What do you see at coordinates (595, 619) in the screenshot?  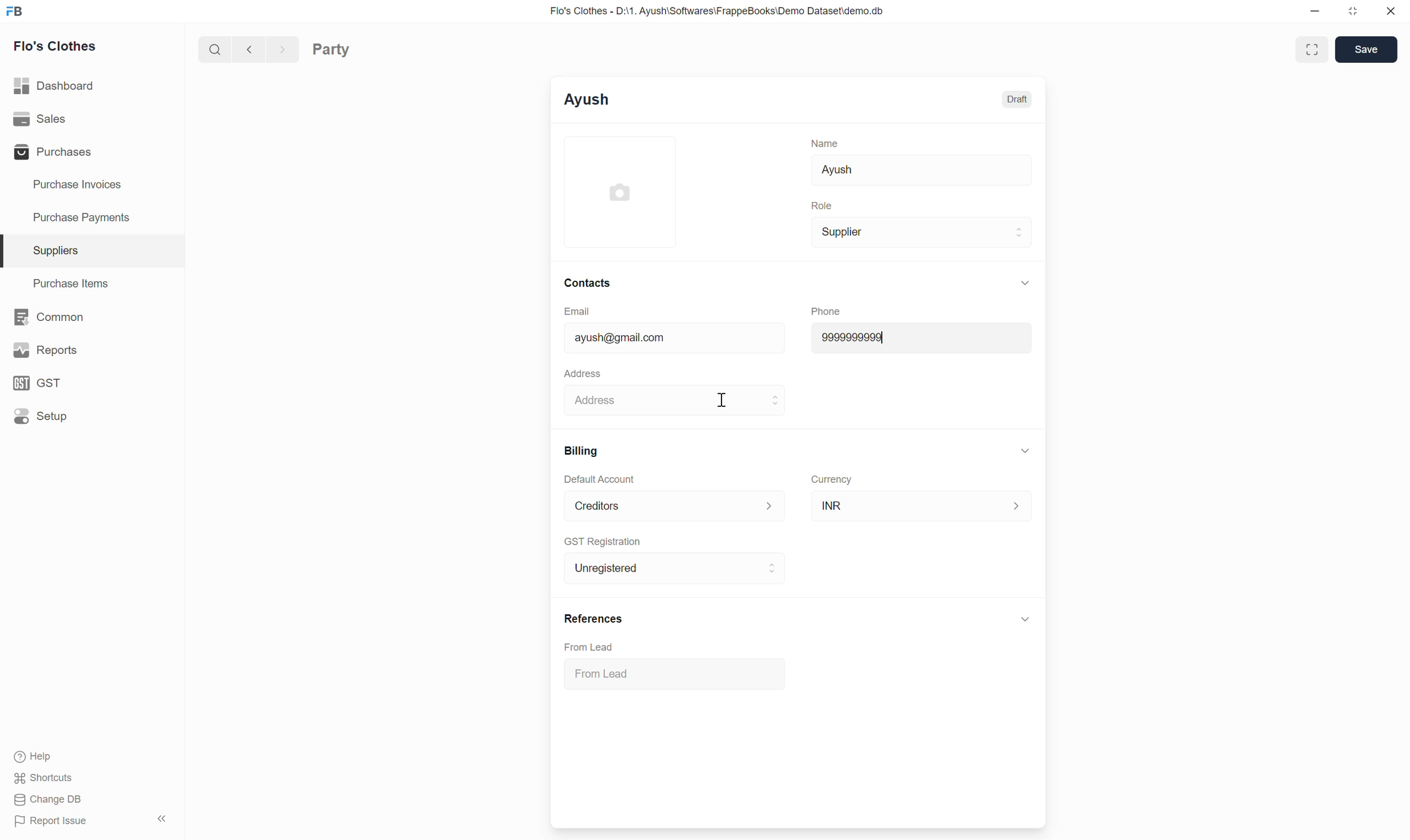 I see `References` at bounding box center [595, 619].